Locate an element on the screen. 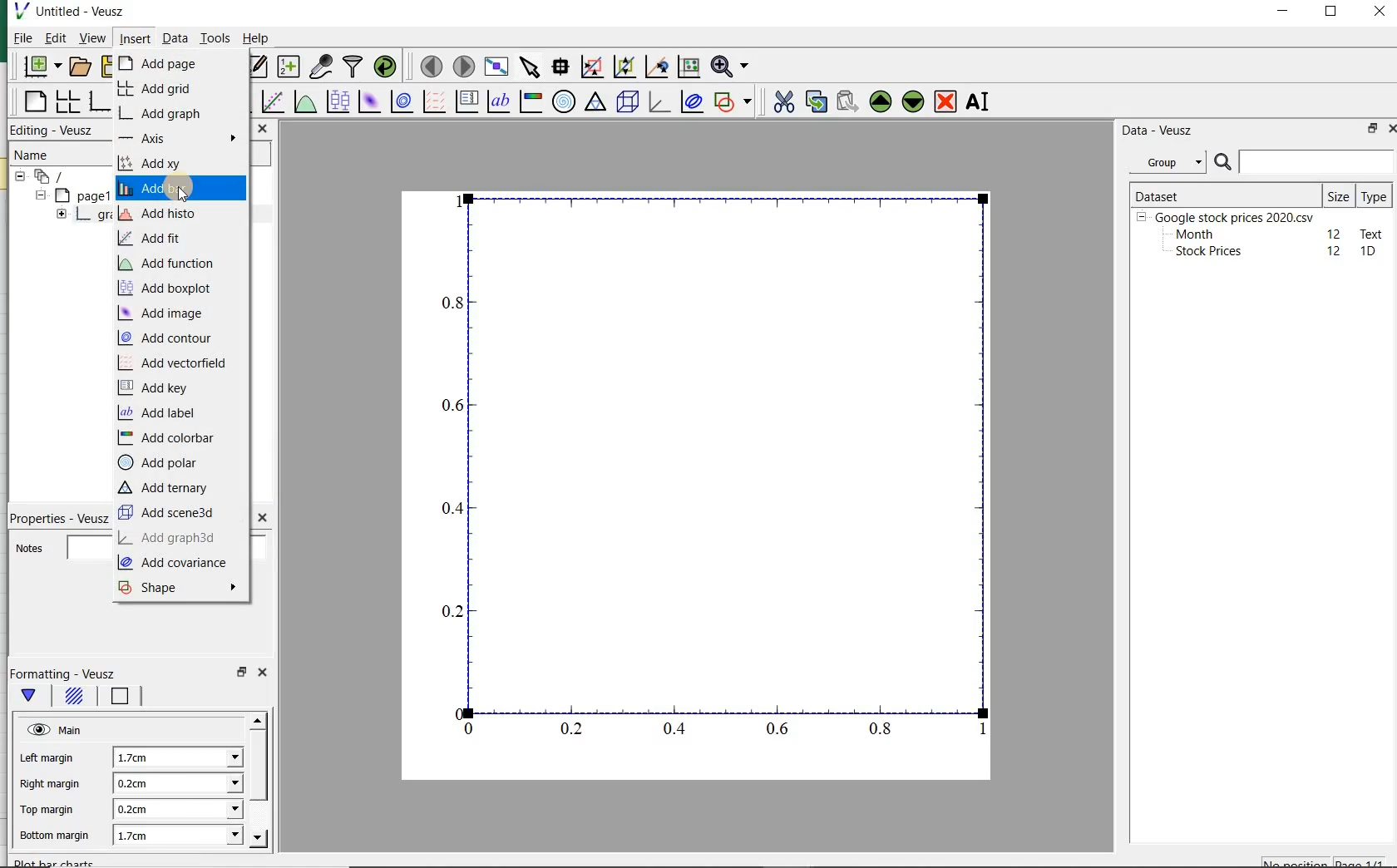 The width and height of the screenshot is (1397, 868). SEARCH DATASET is located at coordinates (1304, 161).